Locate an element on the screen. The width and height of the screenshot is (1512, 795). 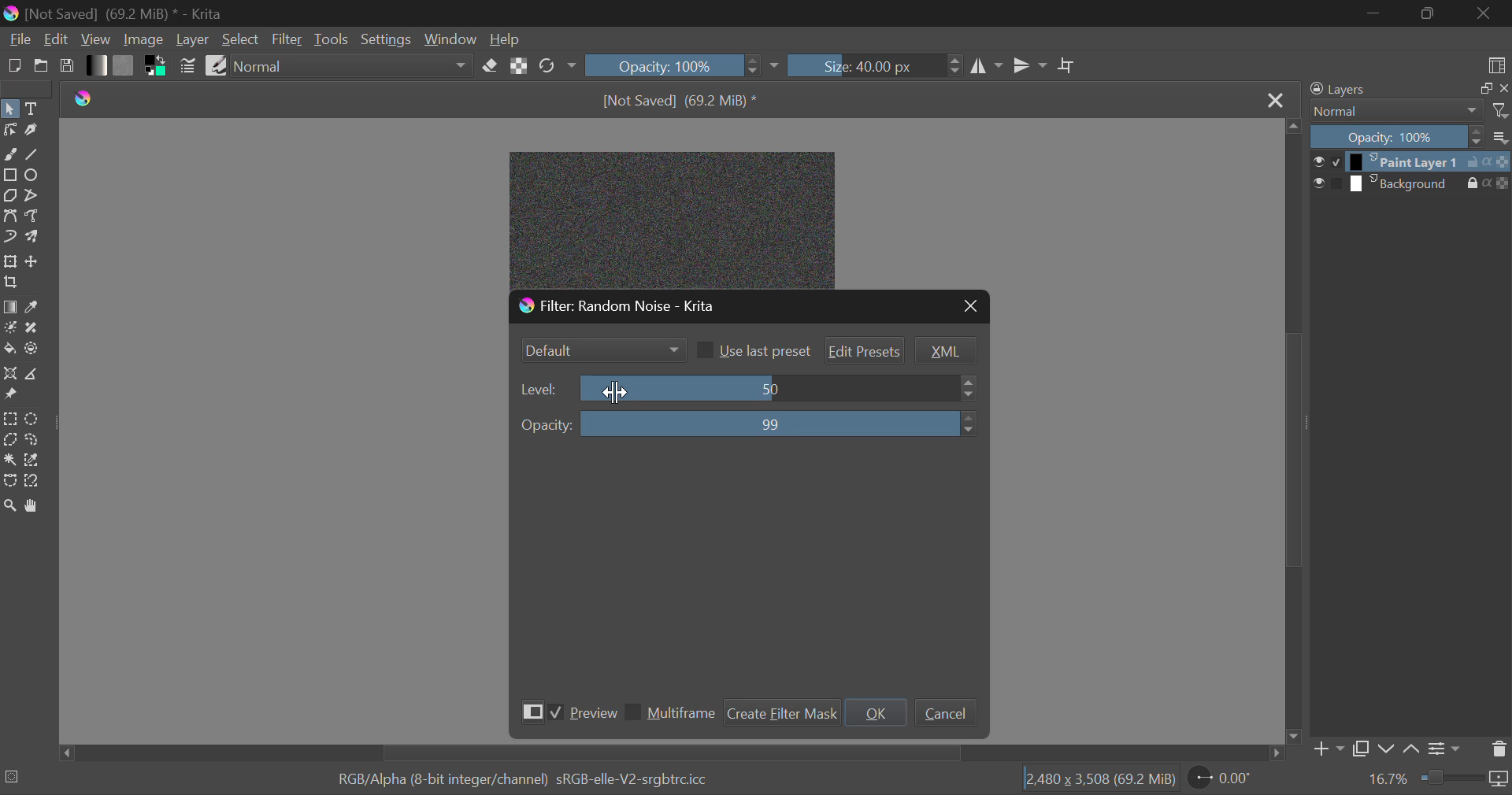
opacity is located at coordinates (1503, 162).